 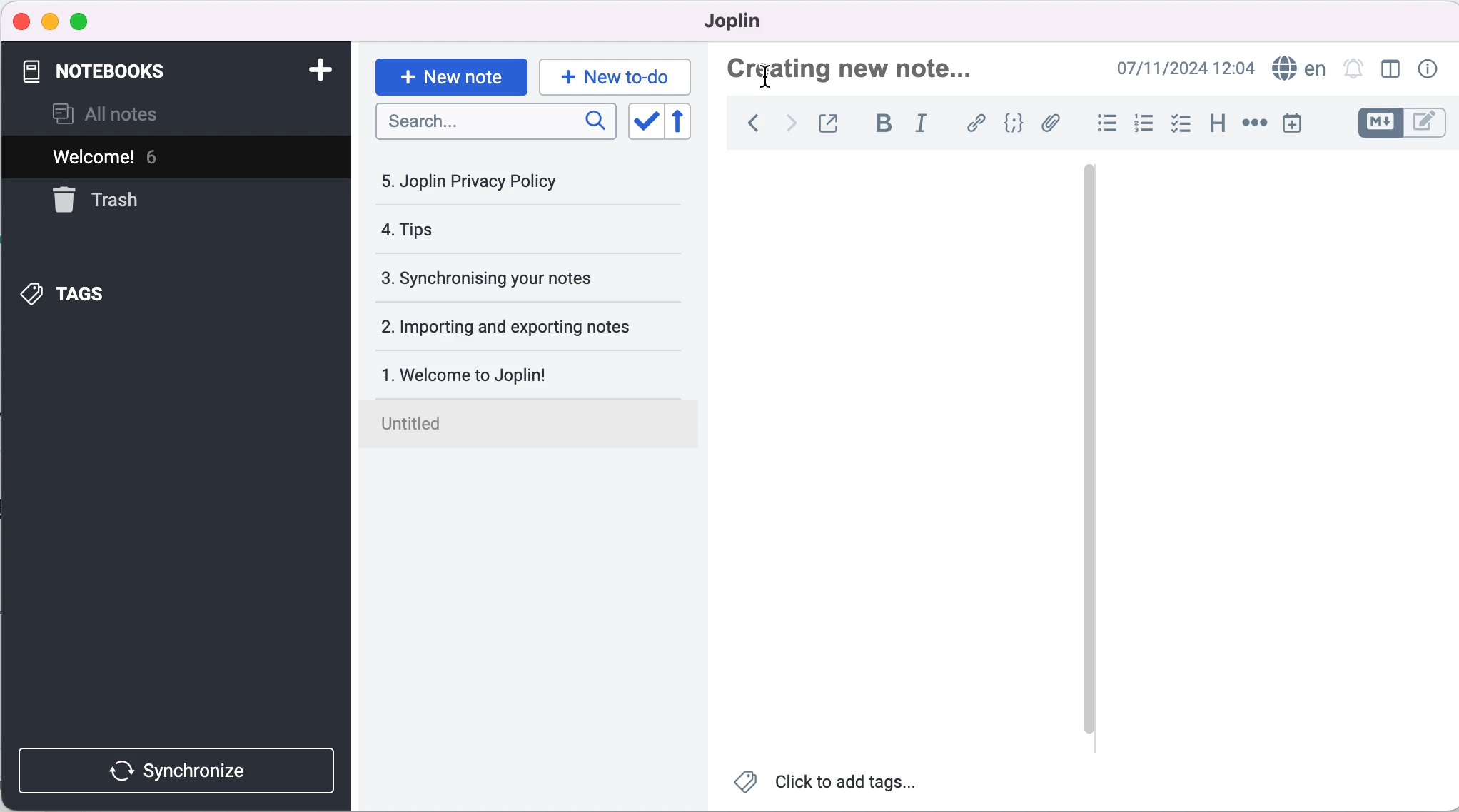 What do you see at coordinates (525, 280) in the screenshot?
I see `synchronising your notes` at bounding box center [525, 280].